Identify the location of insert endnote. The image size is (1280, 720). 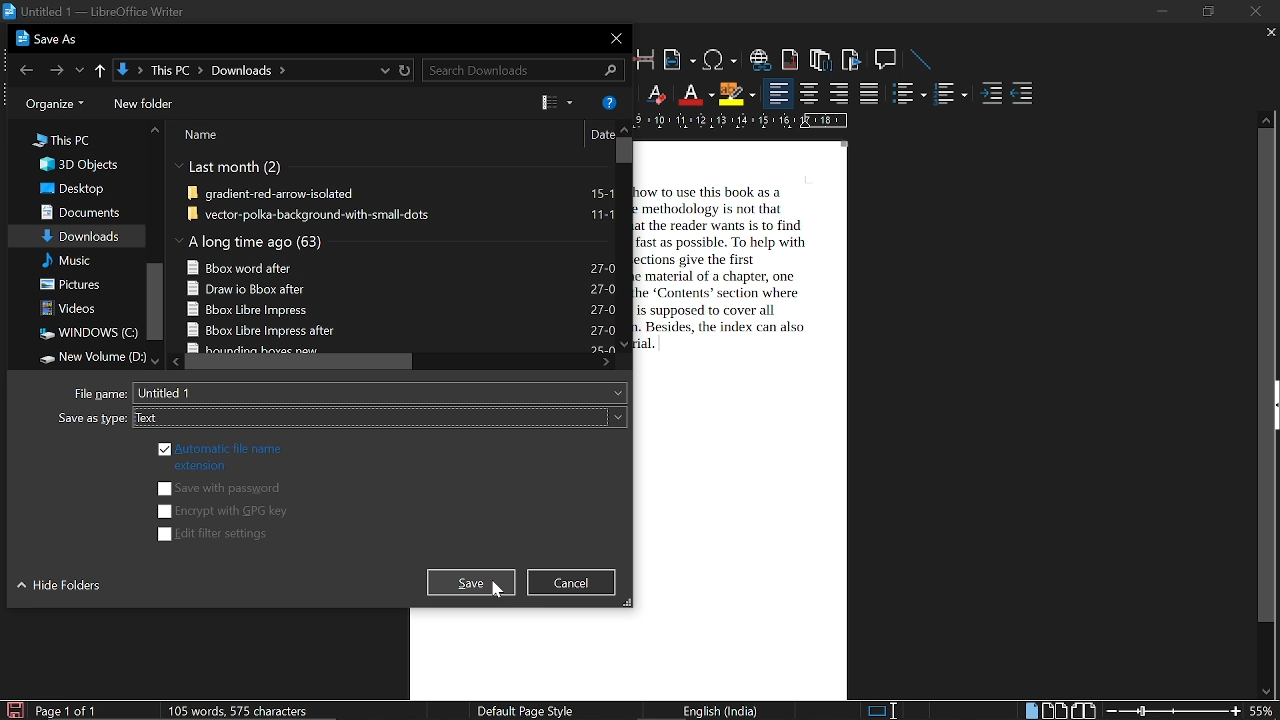
(820, 58).